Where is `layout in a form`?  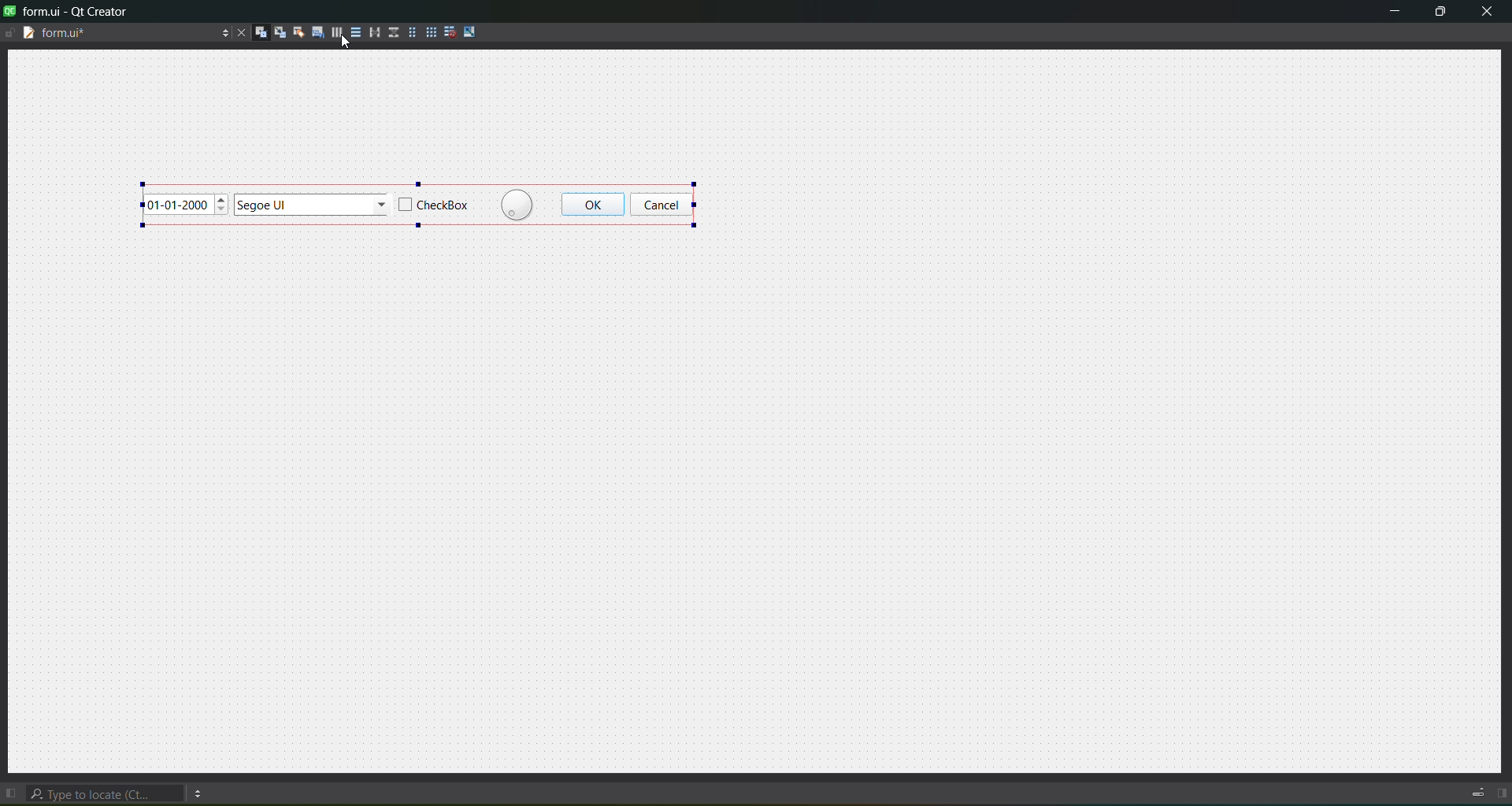
layout in a form is located at coordinates (409, 33).